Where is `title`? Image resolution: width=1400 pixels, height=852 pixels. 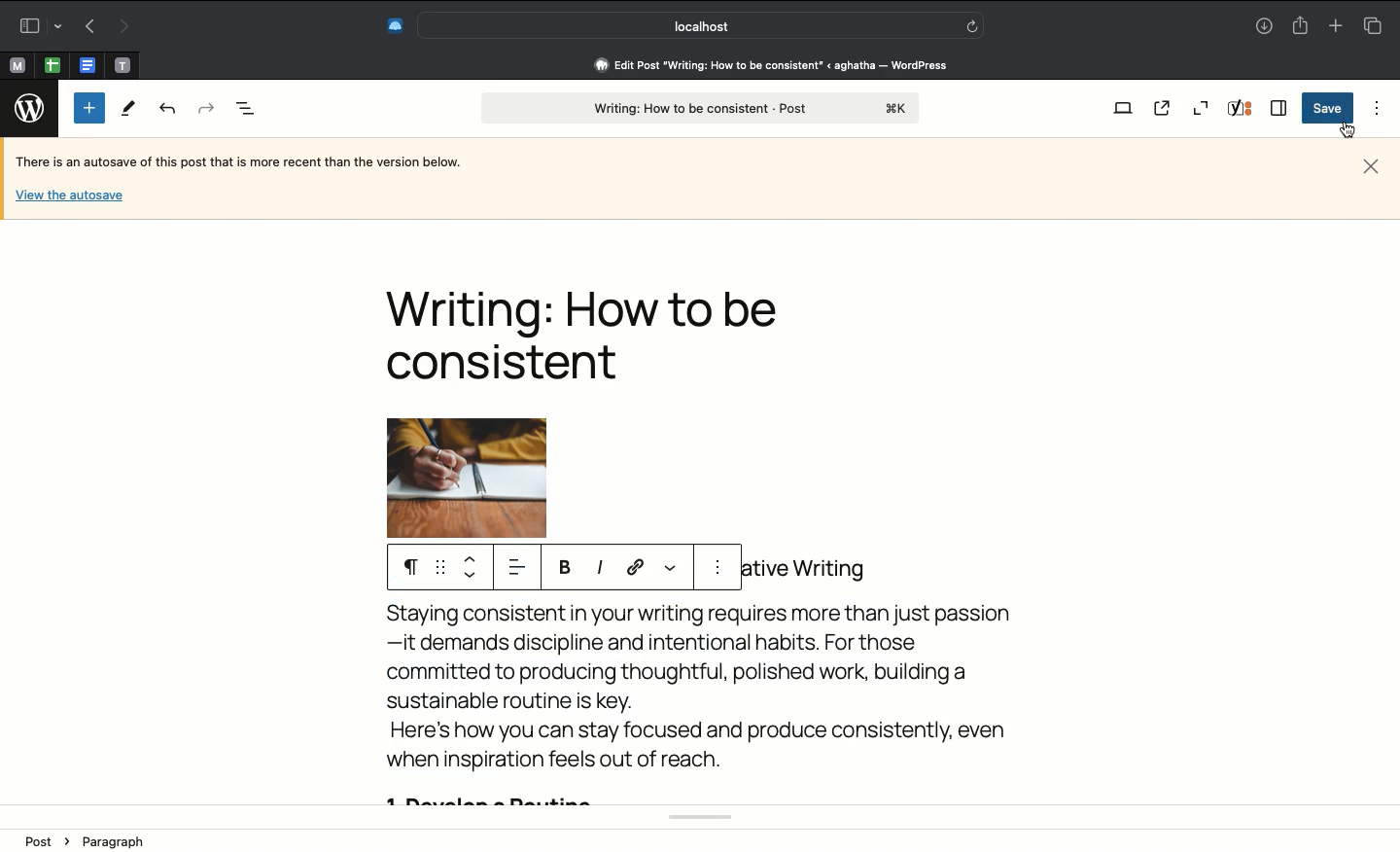 title is located at coordinates (809, 567).